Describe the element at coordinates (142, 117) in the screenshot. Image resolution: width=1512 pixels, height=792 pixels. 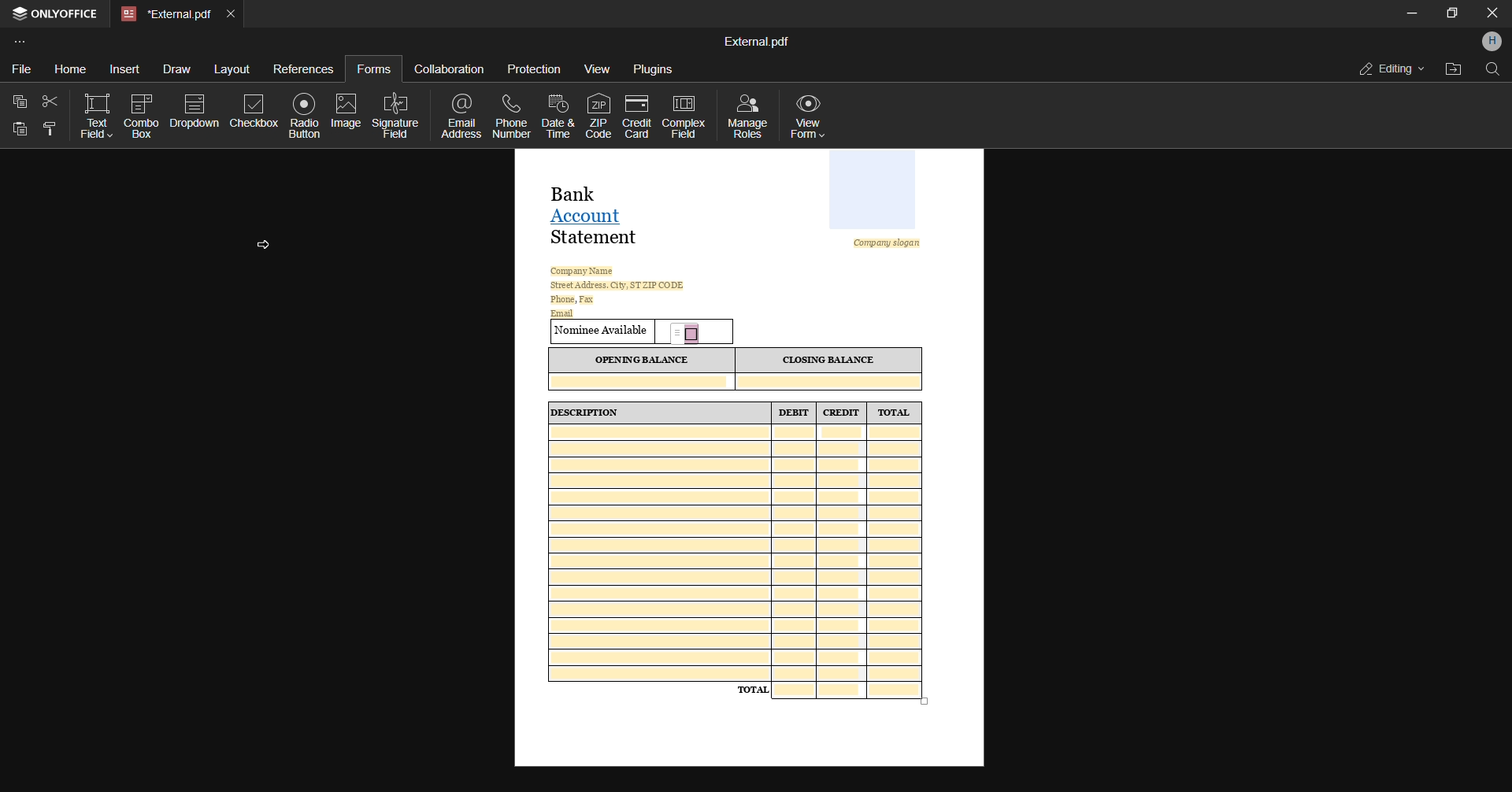
I see `combo box` at that location.